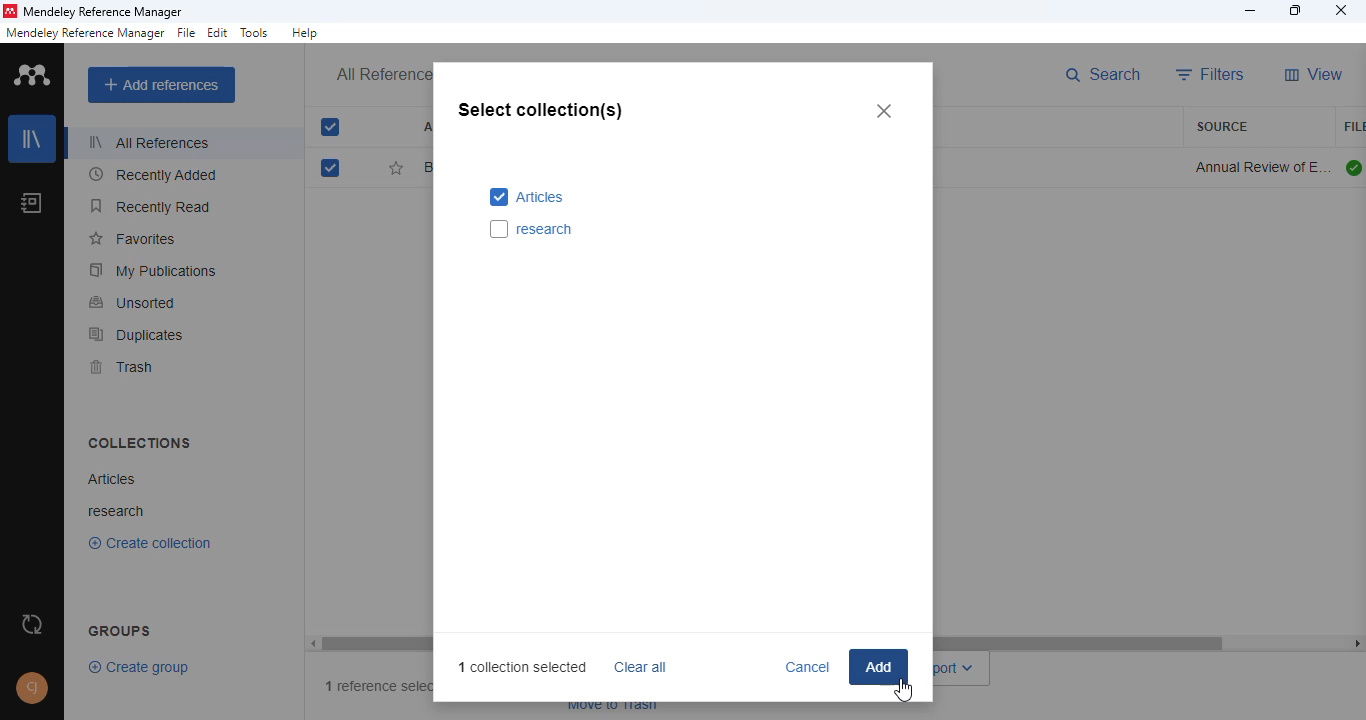 The width and height of the screenshot is (1366, 720). I want to click on mendeley reference manager, so click(82, 33).